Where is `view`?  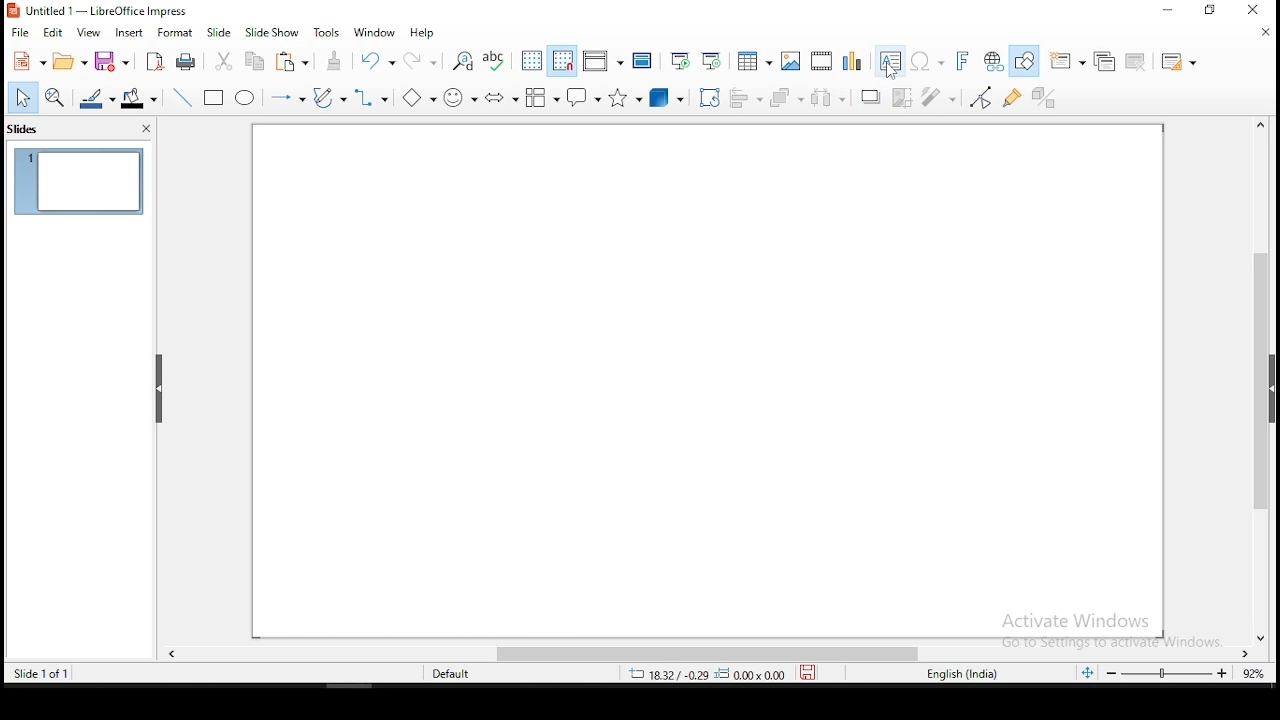
view is located at coordinates (90, 34).